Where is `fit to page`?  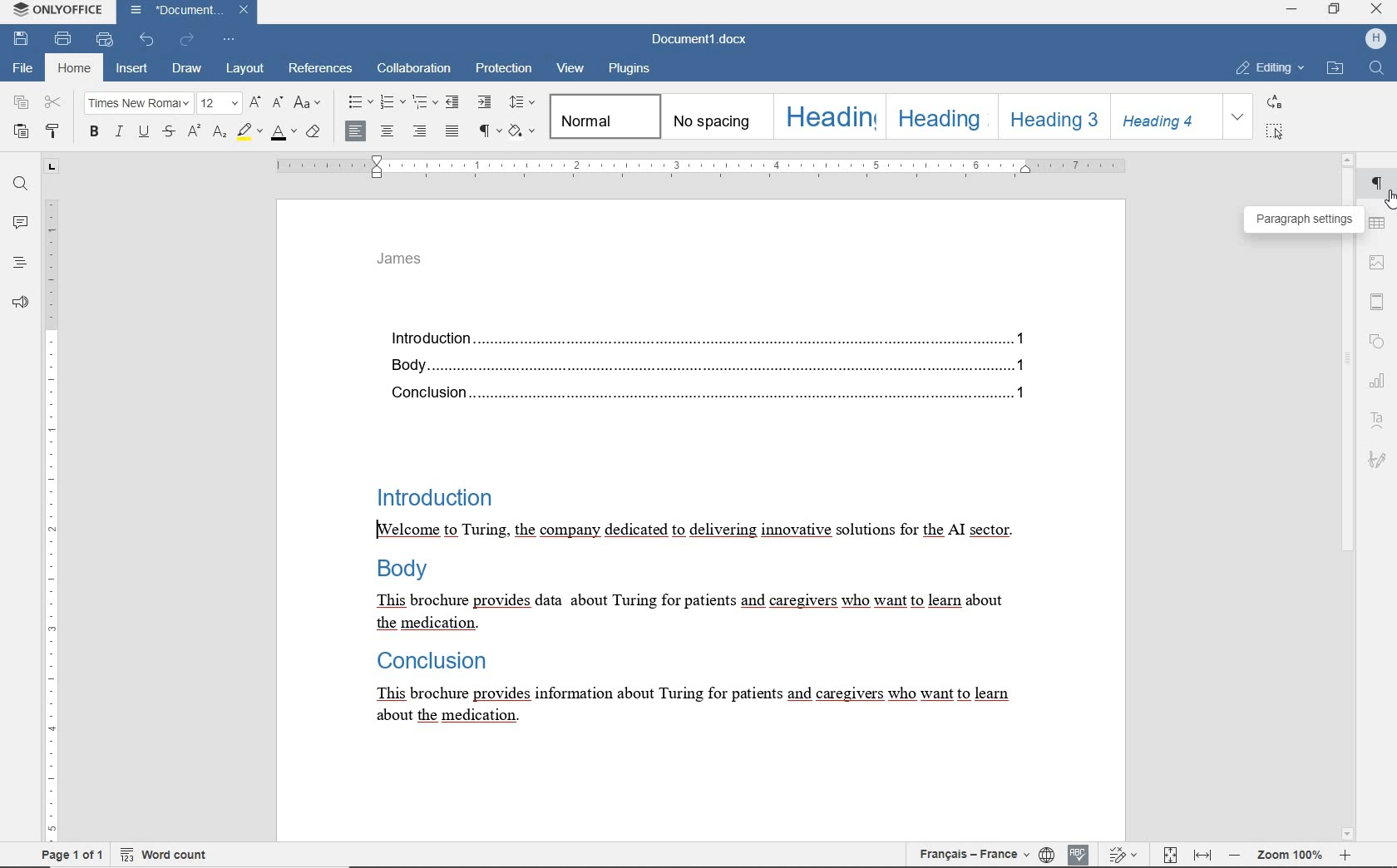 fit to page is located at coordinates (1118, 856).